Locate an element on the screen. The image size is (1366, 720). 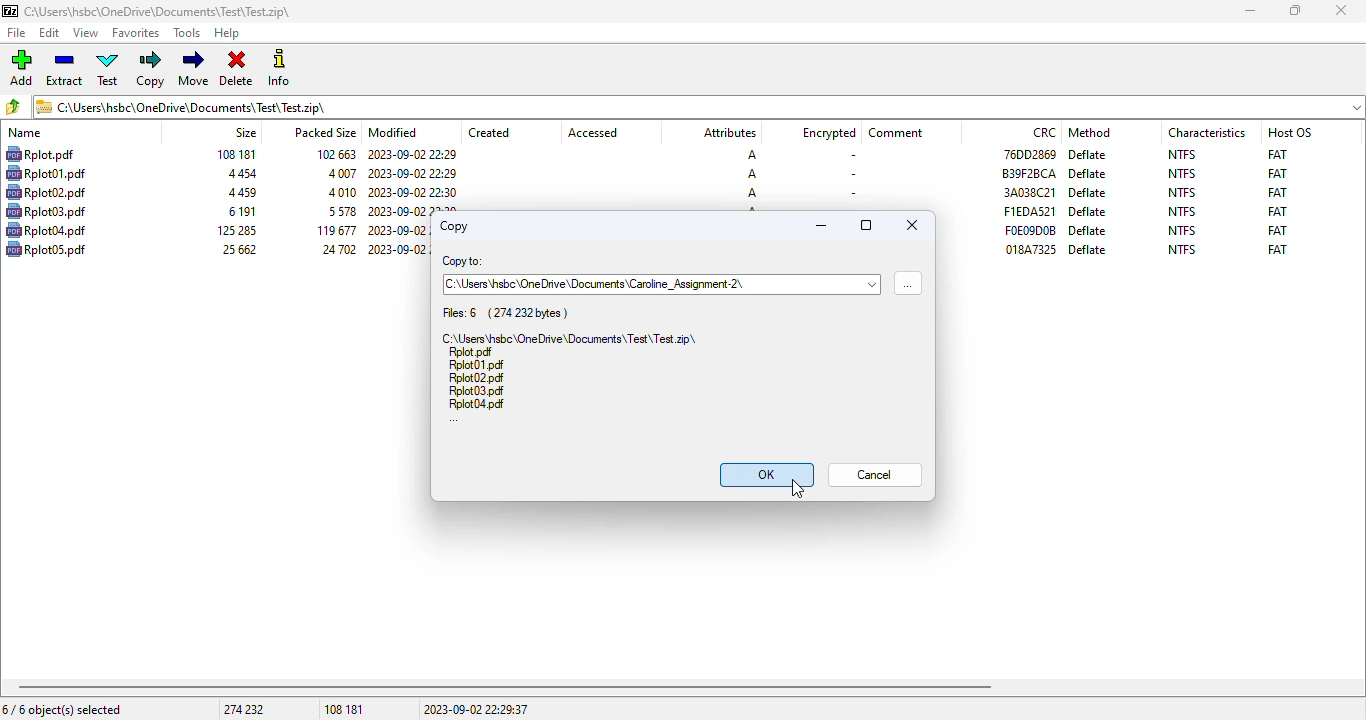
accessed is located at coordinates (593, 133).